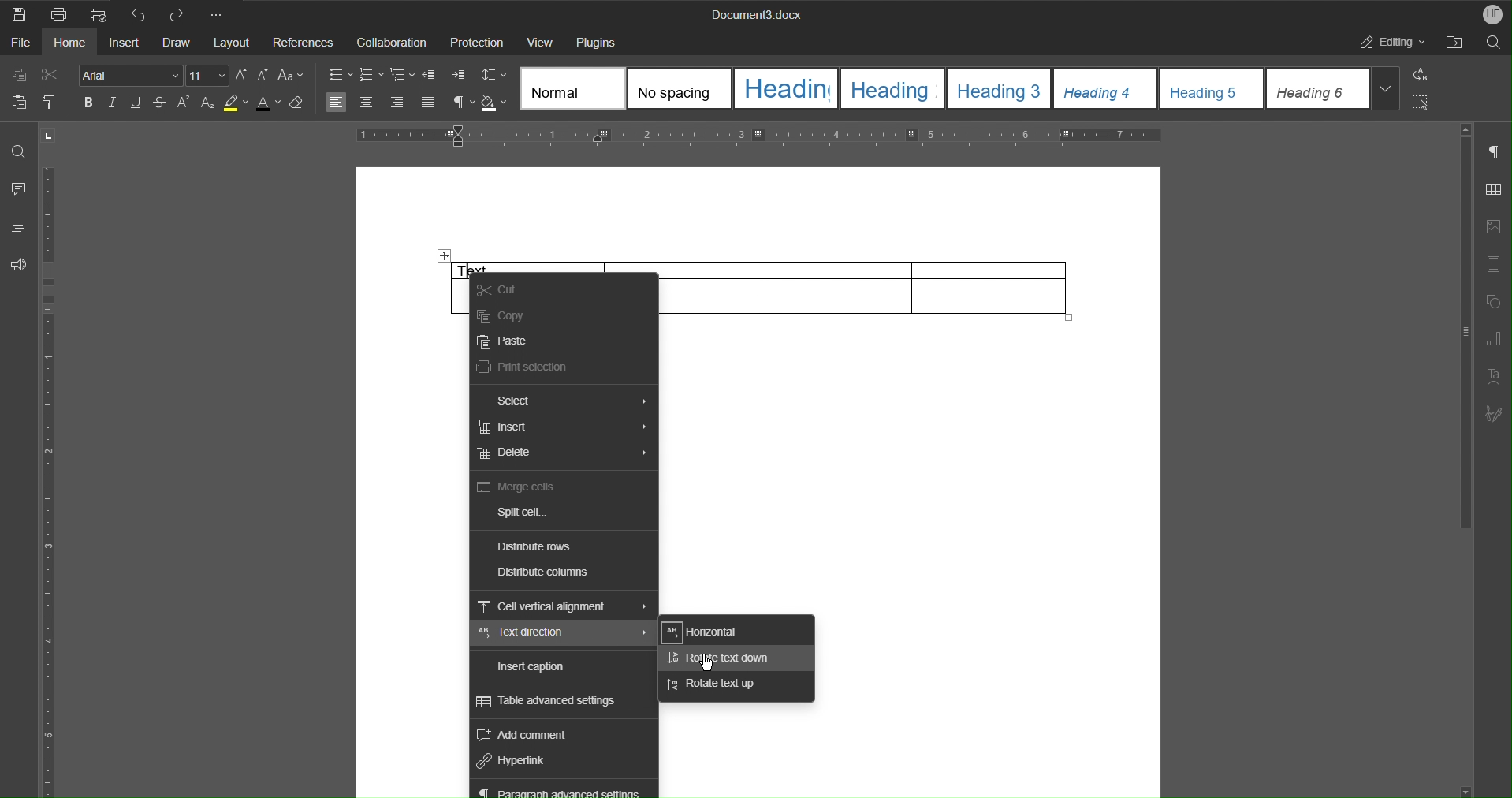 The height and width of the screenshot is (798, 1512). I want to click on Print, so click(523, 368).